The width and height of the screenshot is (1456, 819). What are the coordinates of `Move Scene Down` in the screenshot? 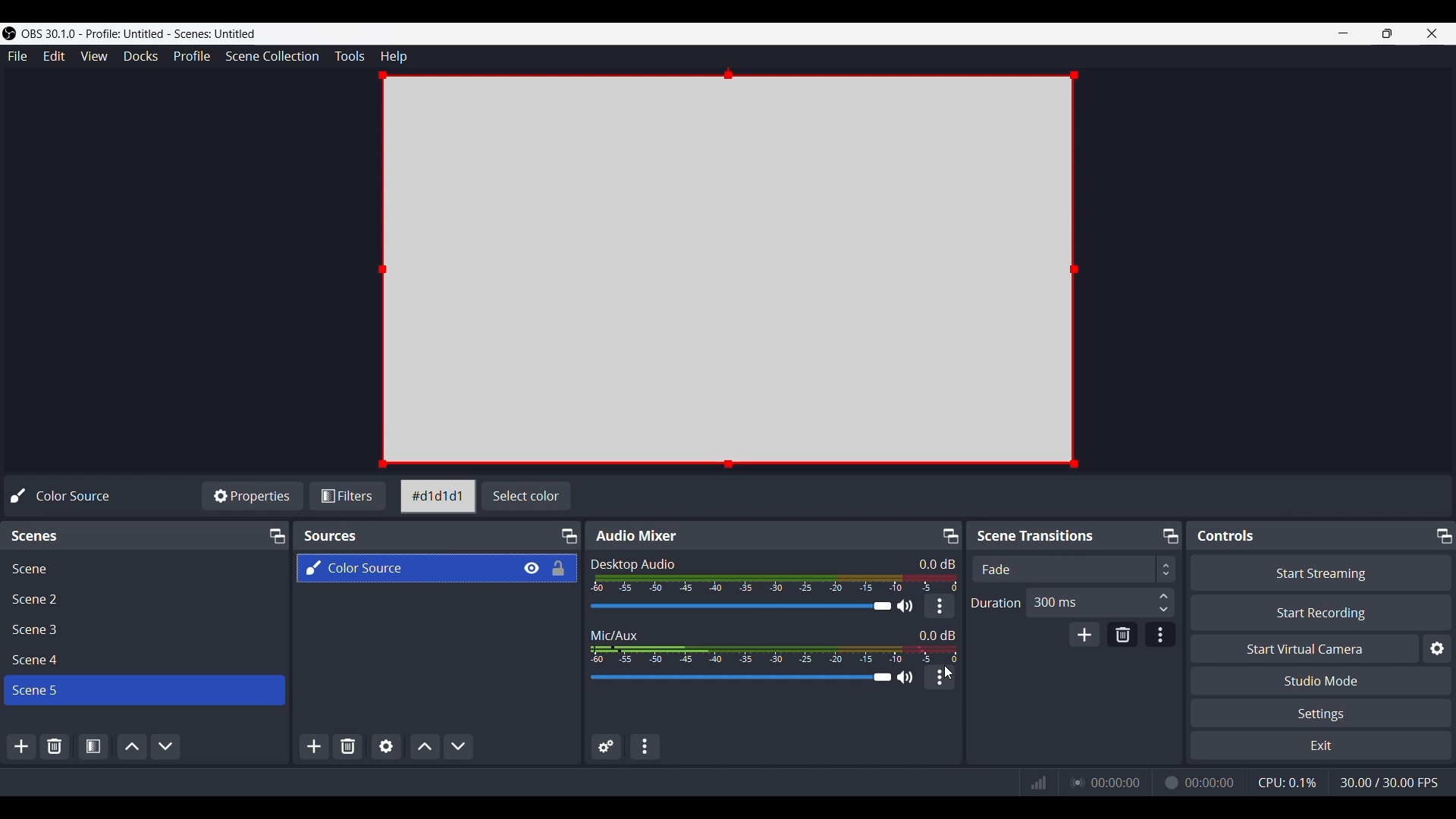 It's located at (165, 746).